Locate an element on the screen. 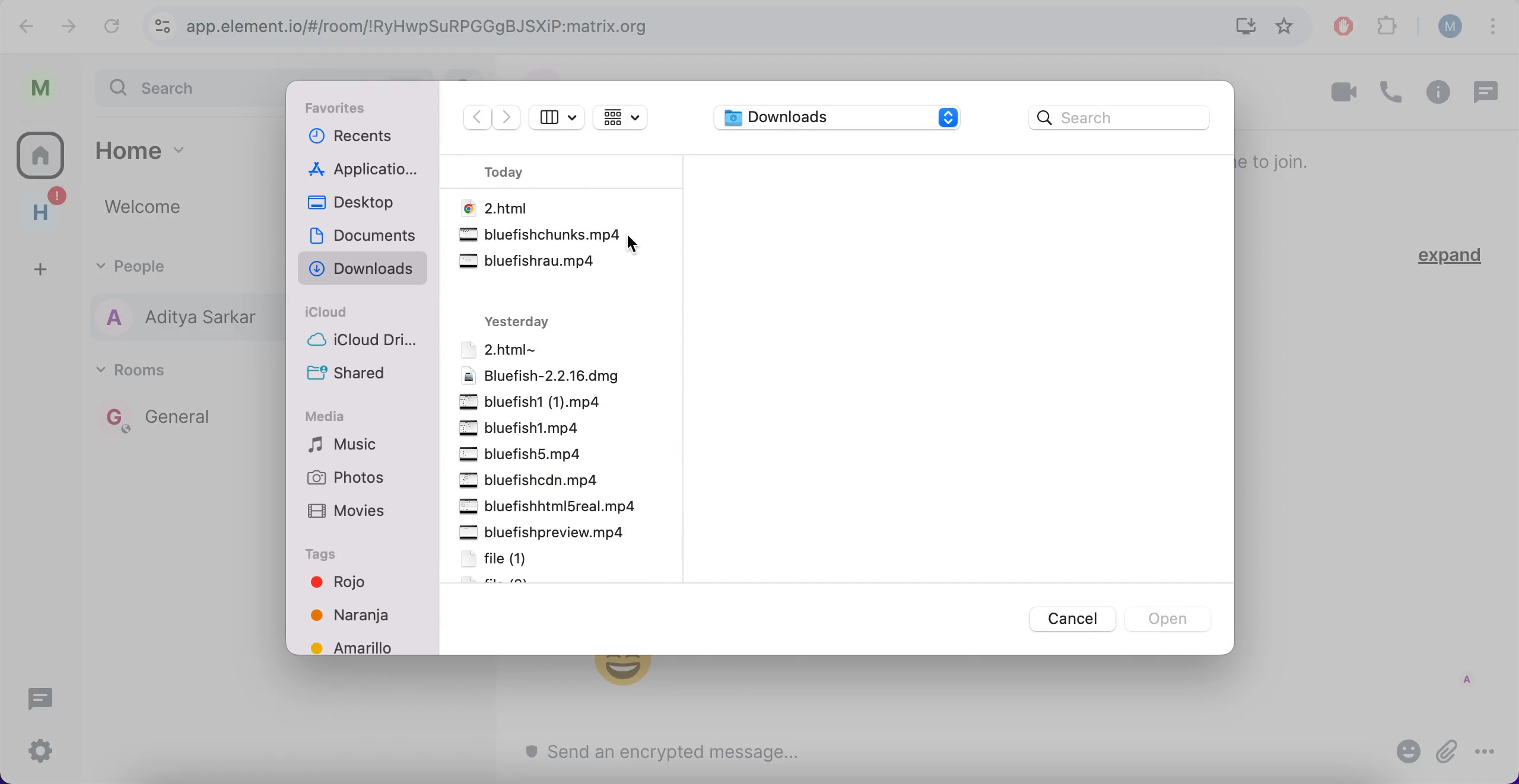 Image resolution: width=1519 pixels, height=784 pixels. documents is located at coordinates (370, 232).